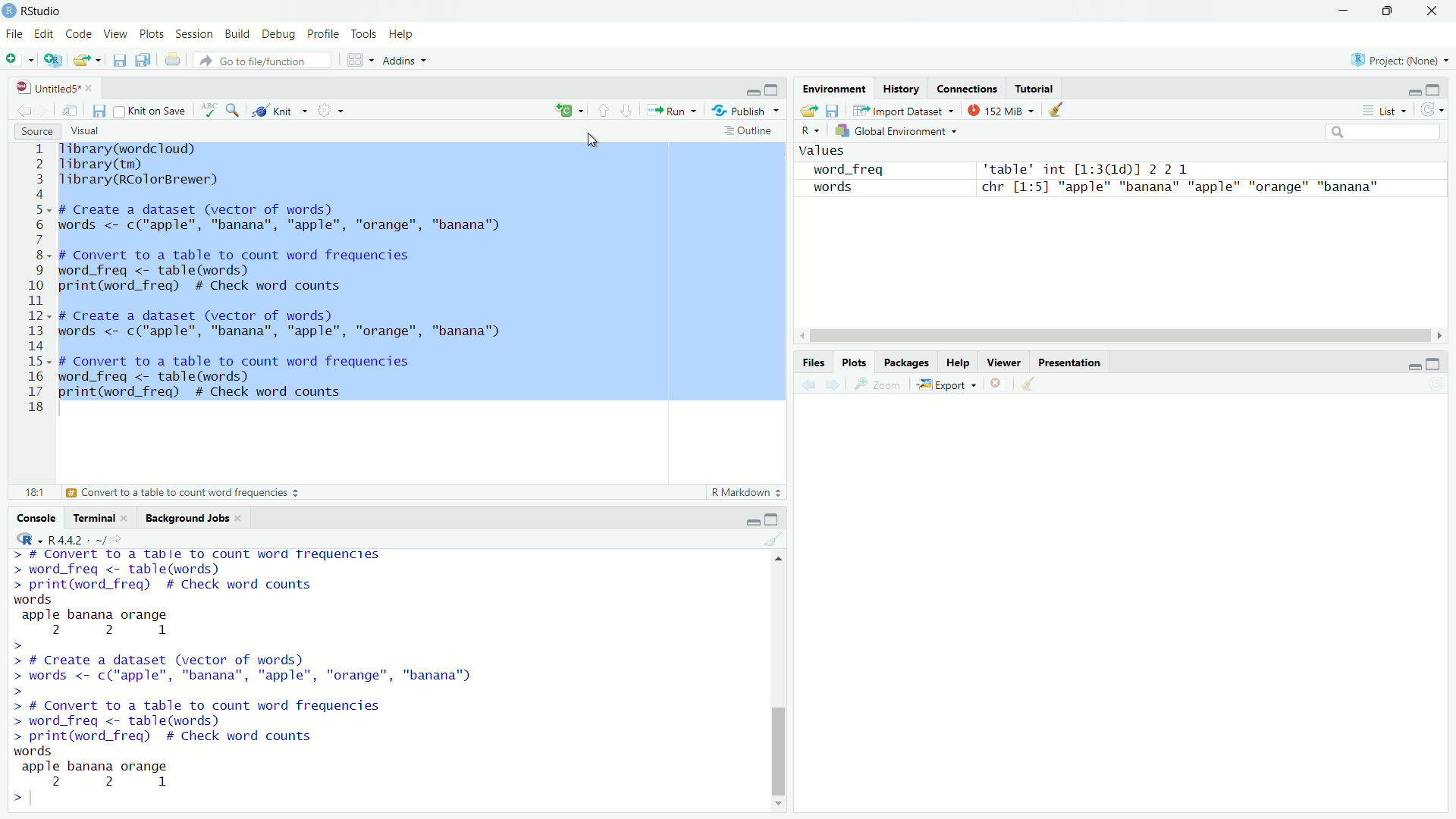 This screenshot has height=819, width=1456. What do you see at coordinates (245, 669) in the screenshot?
I see `Convert to a table to count word frequencies > word_freq <- table(words)- print(word_freq) # Check word countswordsapple banana orange2 2 1-> # Create a dataset (vector of words). words <- c("apple”, "banana", "apple", "orange", "banana"™)-- # Convert to a table to count word frequencies> word_freq <- table(words)- print(word_freq) # Check word countswordsapple banana orange2 2 1` at bounding box center [245, 669].